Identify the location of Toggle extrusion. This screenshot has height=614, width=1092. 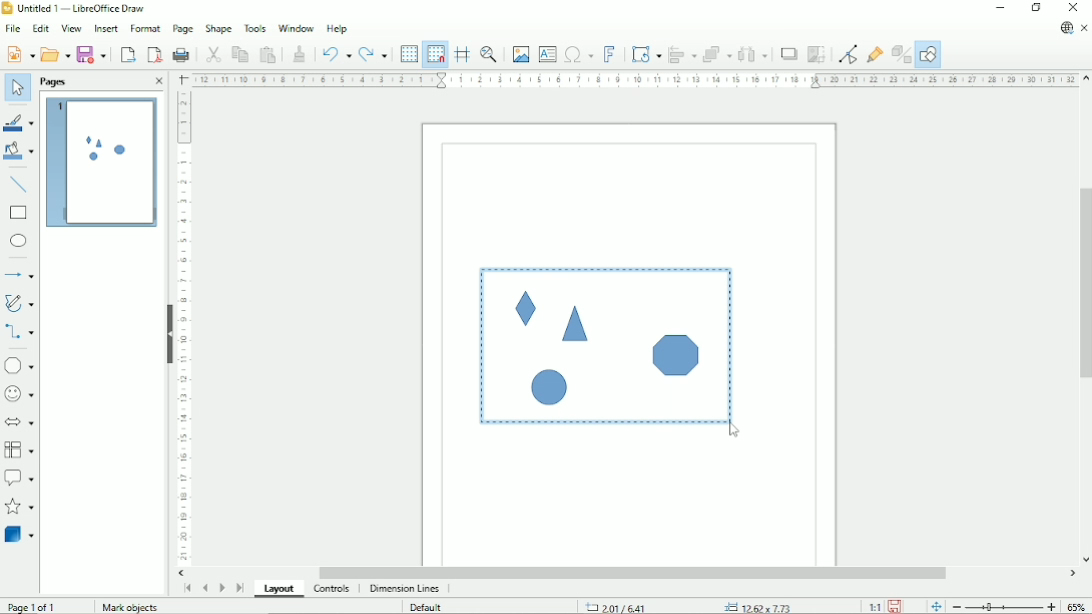
(902, 53).